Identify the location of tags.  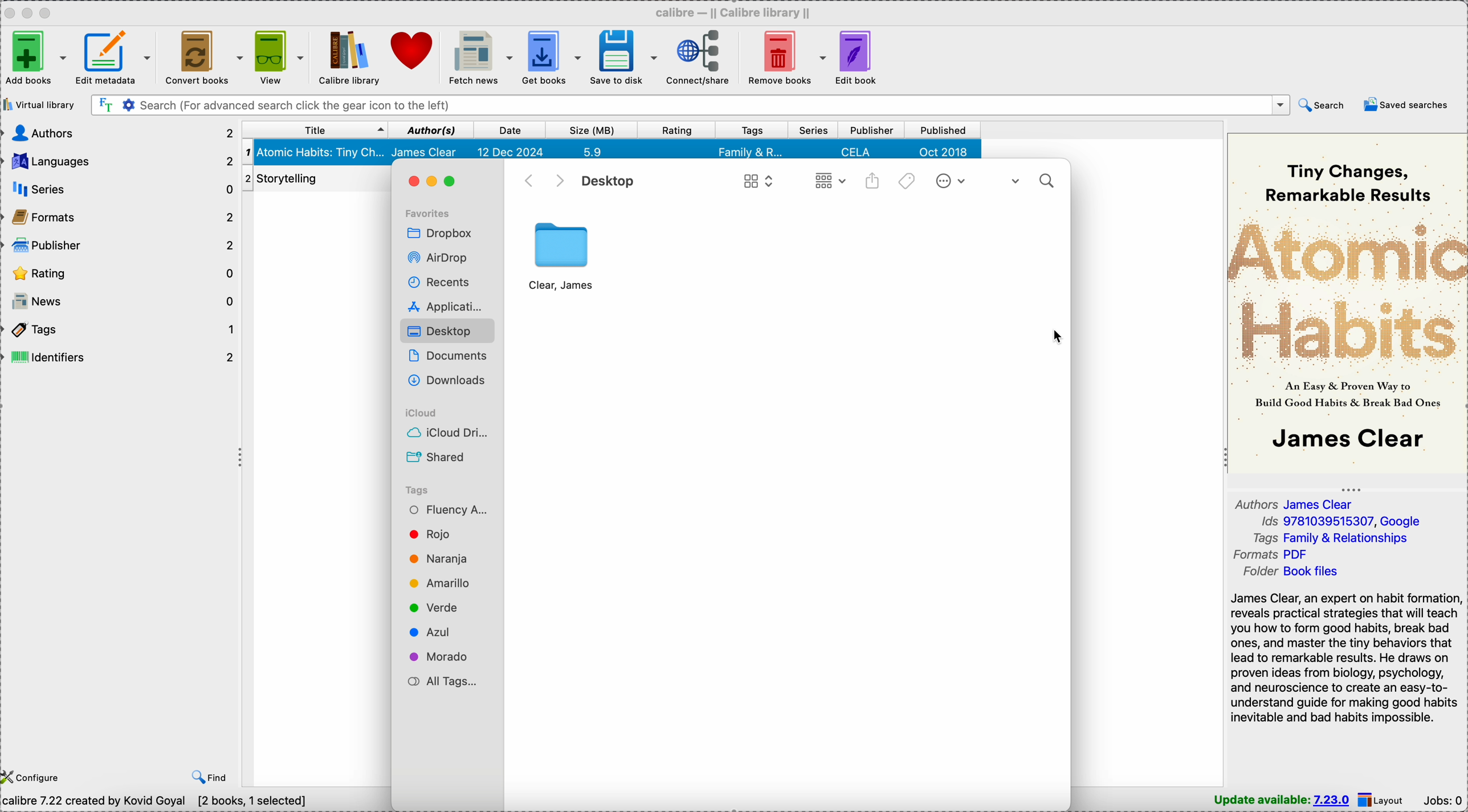
(121, 332).